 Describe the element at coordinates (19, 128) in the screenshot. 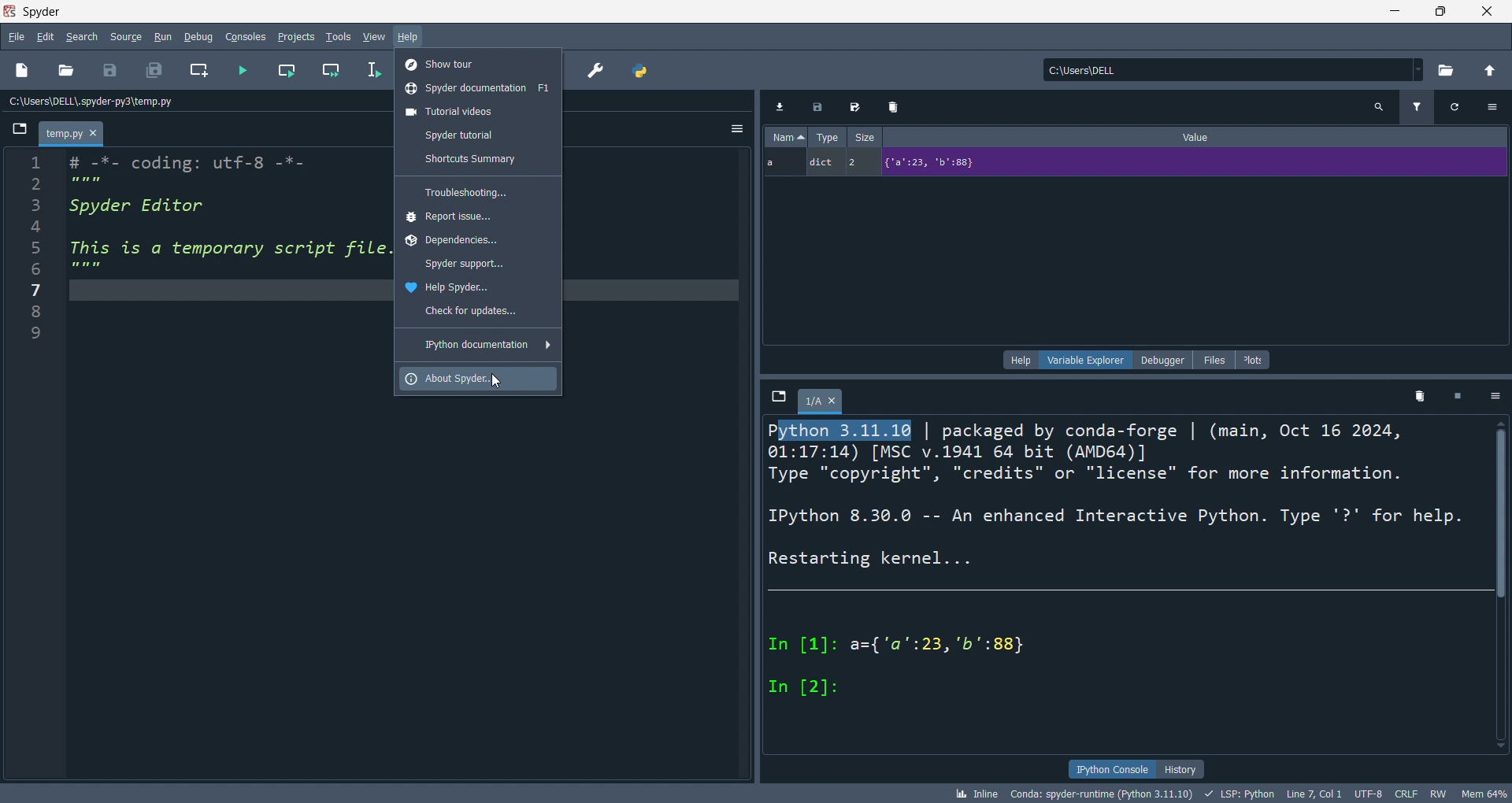

I see `File` at that location.